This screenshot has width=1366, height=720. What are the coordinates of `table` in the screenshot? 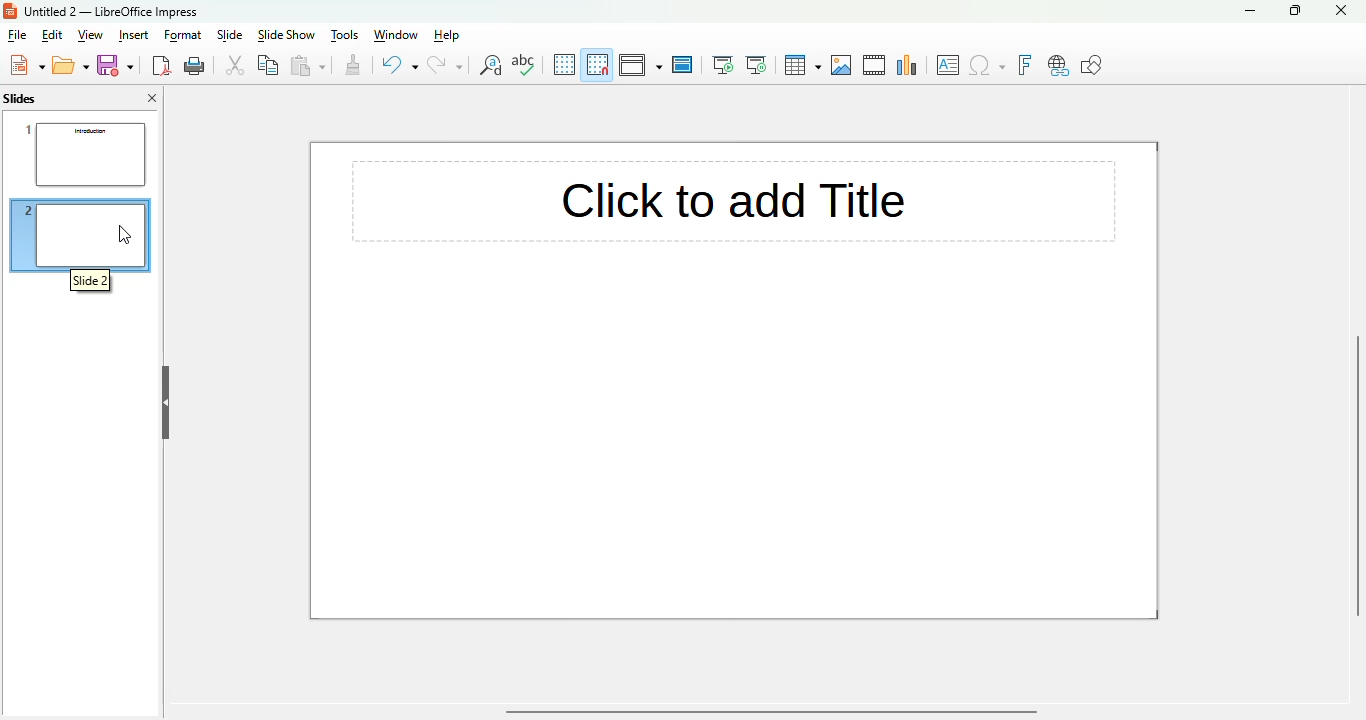 It's located at (802, 65).